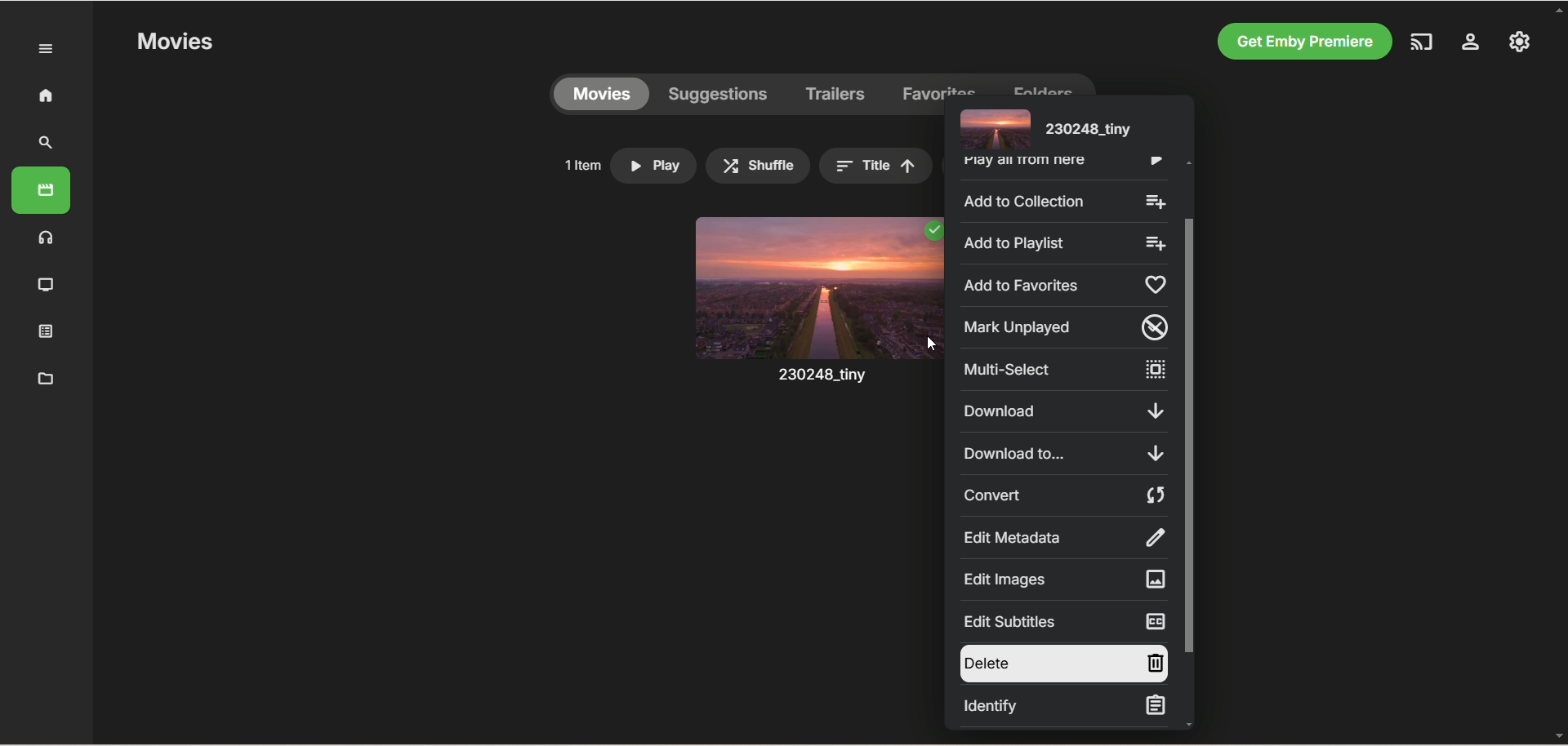 The image size is (1568, 746). I want to click on Cursor, so click(930, 344).